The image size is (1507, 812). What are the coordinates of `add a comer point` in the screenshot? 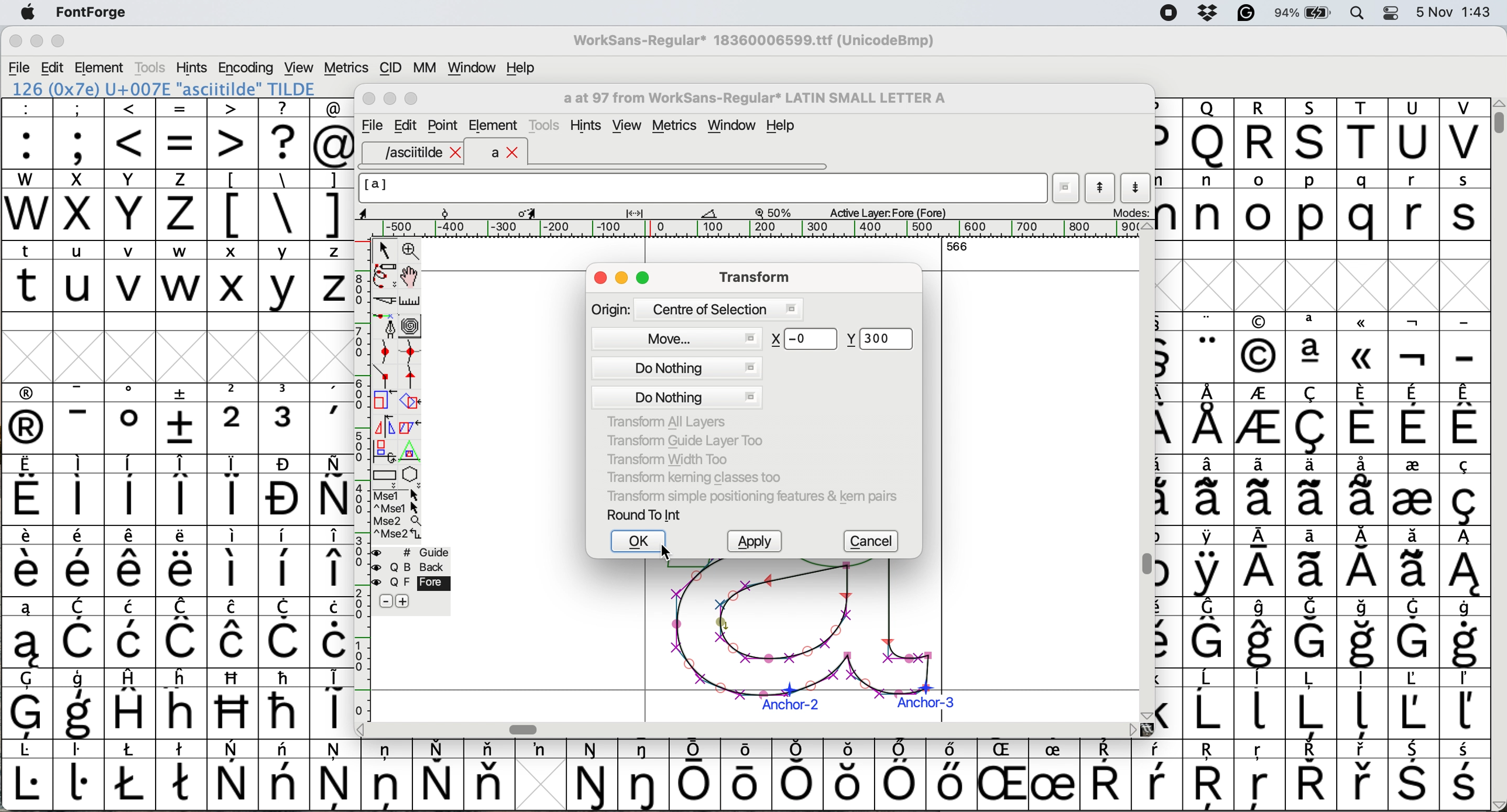 It's located at (386, 376).